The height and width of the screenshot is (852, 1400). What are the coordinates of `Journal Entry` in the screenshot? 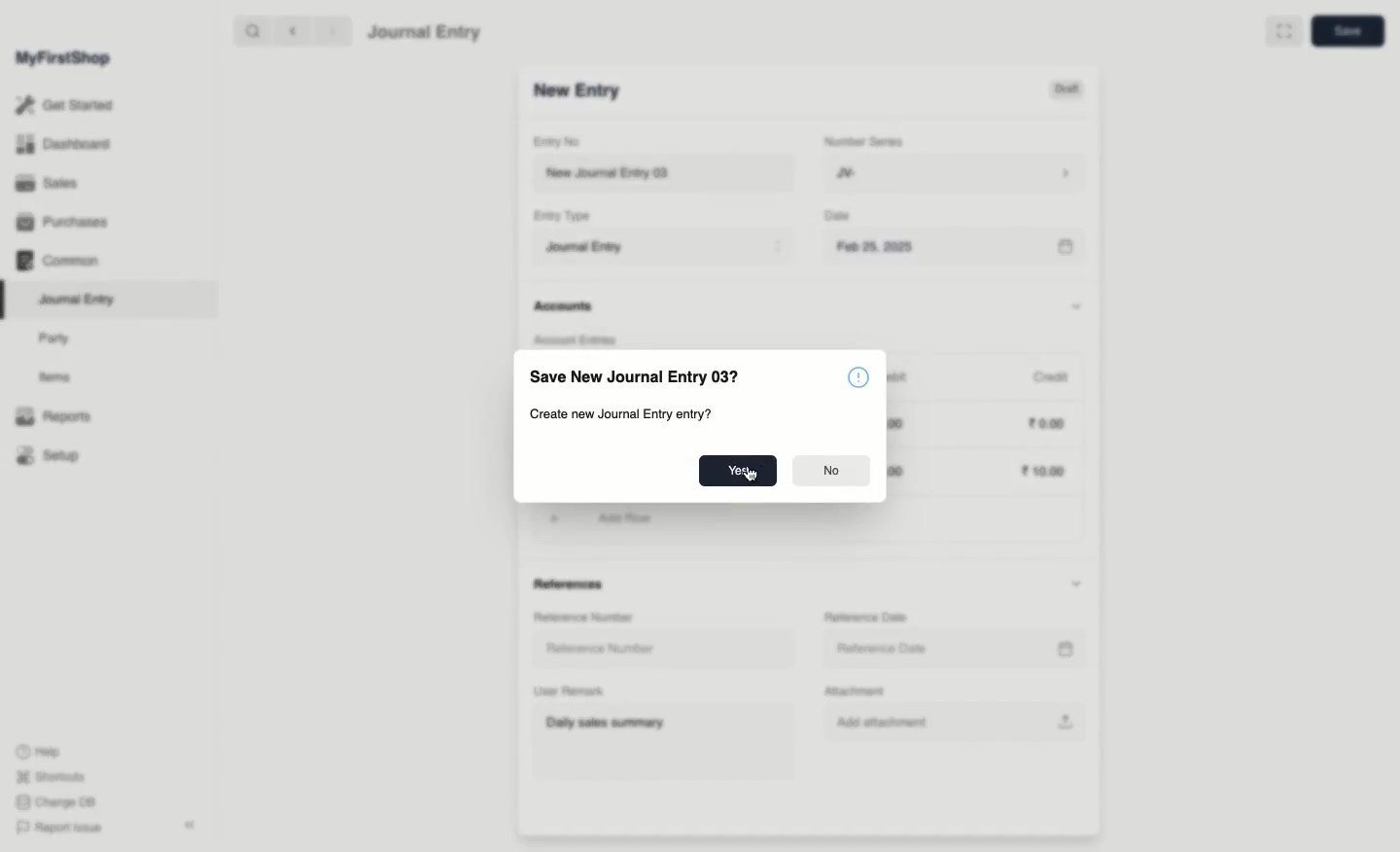 It's located at (425, 31).